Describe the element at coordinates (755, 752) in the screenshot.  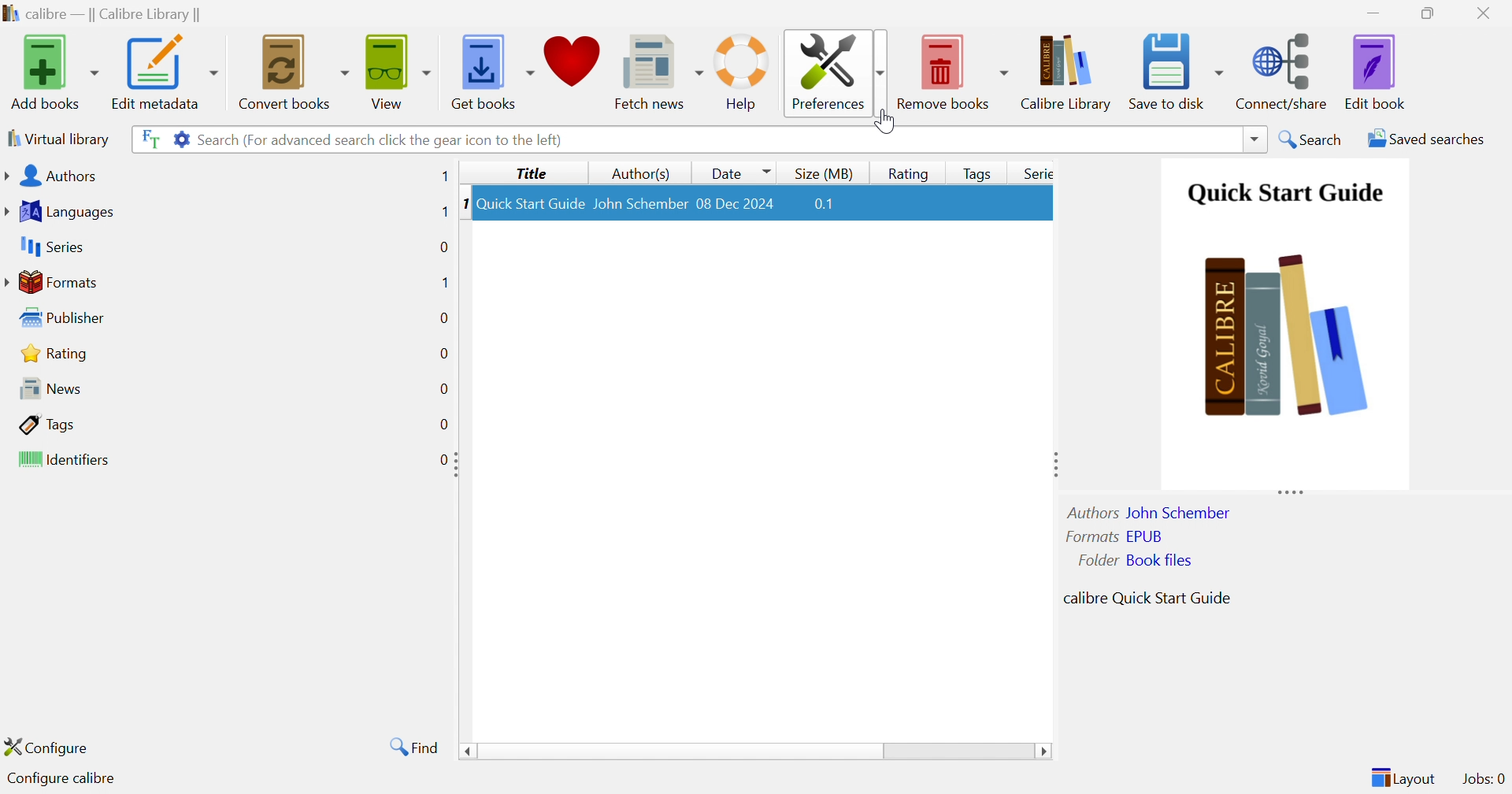
I see `scroll bar` at that location.